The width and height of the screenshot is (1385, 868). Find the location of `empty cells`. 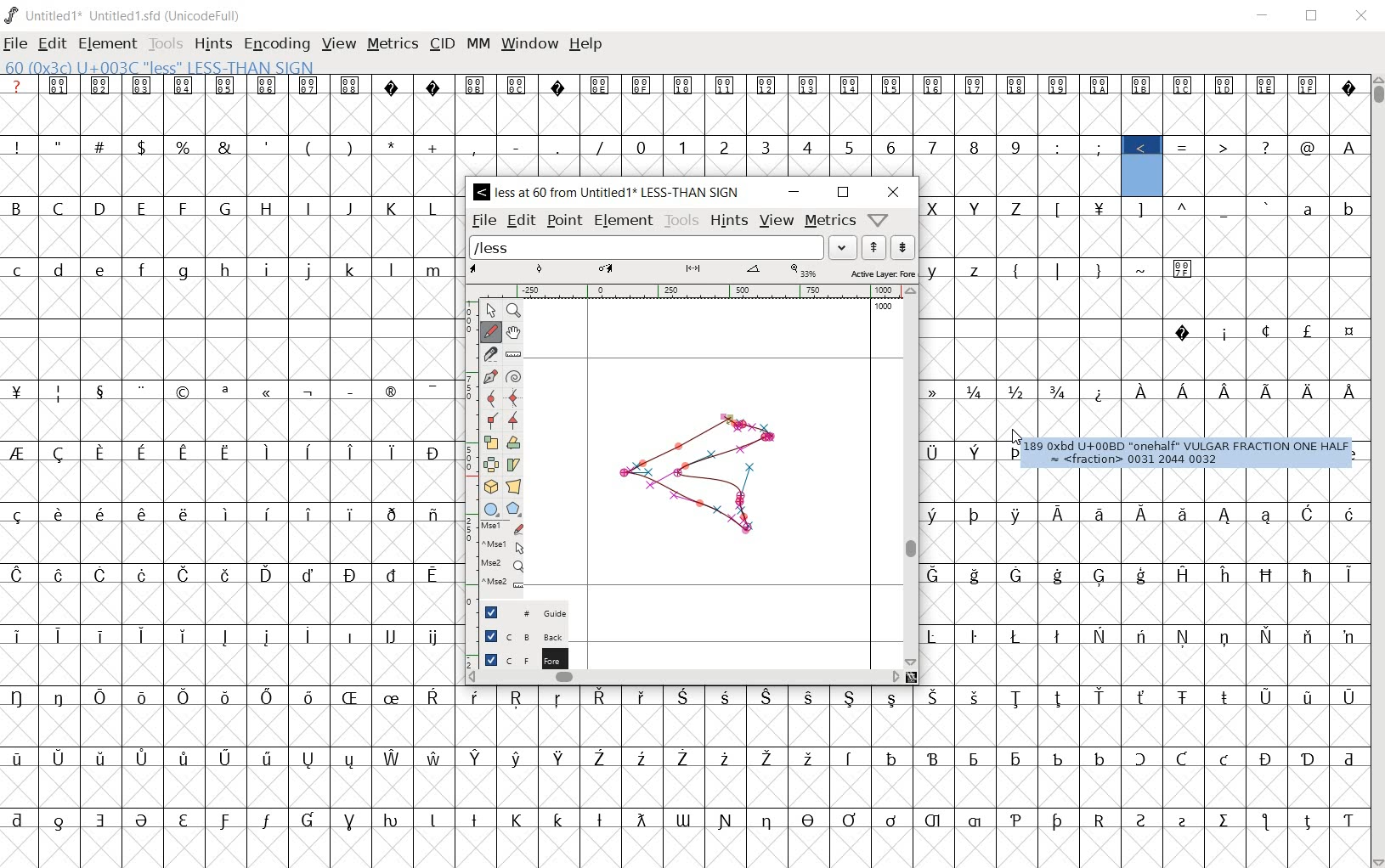

empty cells is located at coordinates (969, 482).